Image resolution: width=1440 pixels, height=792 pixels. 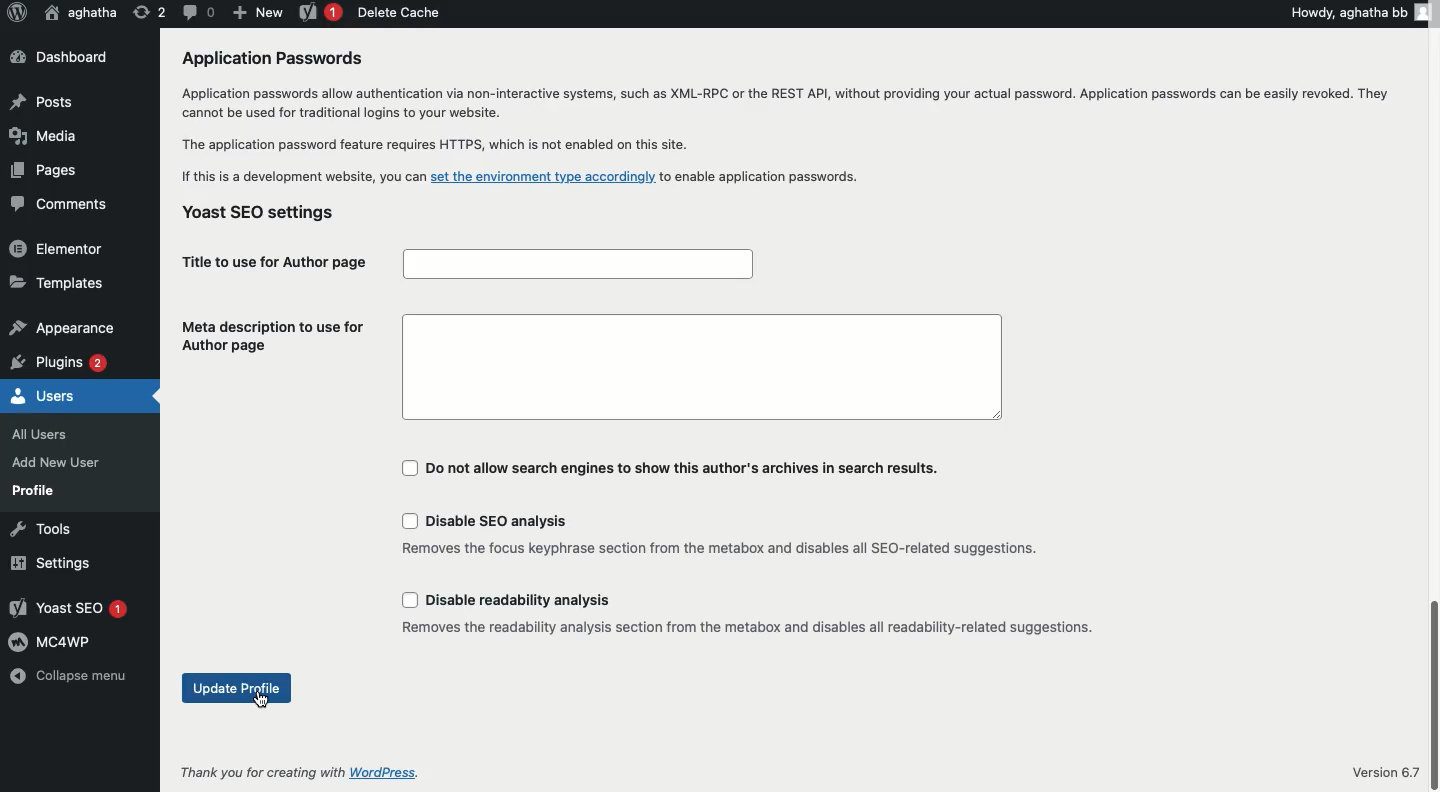 I want to click on Media, so click(x=41, y=135).